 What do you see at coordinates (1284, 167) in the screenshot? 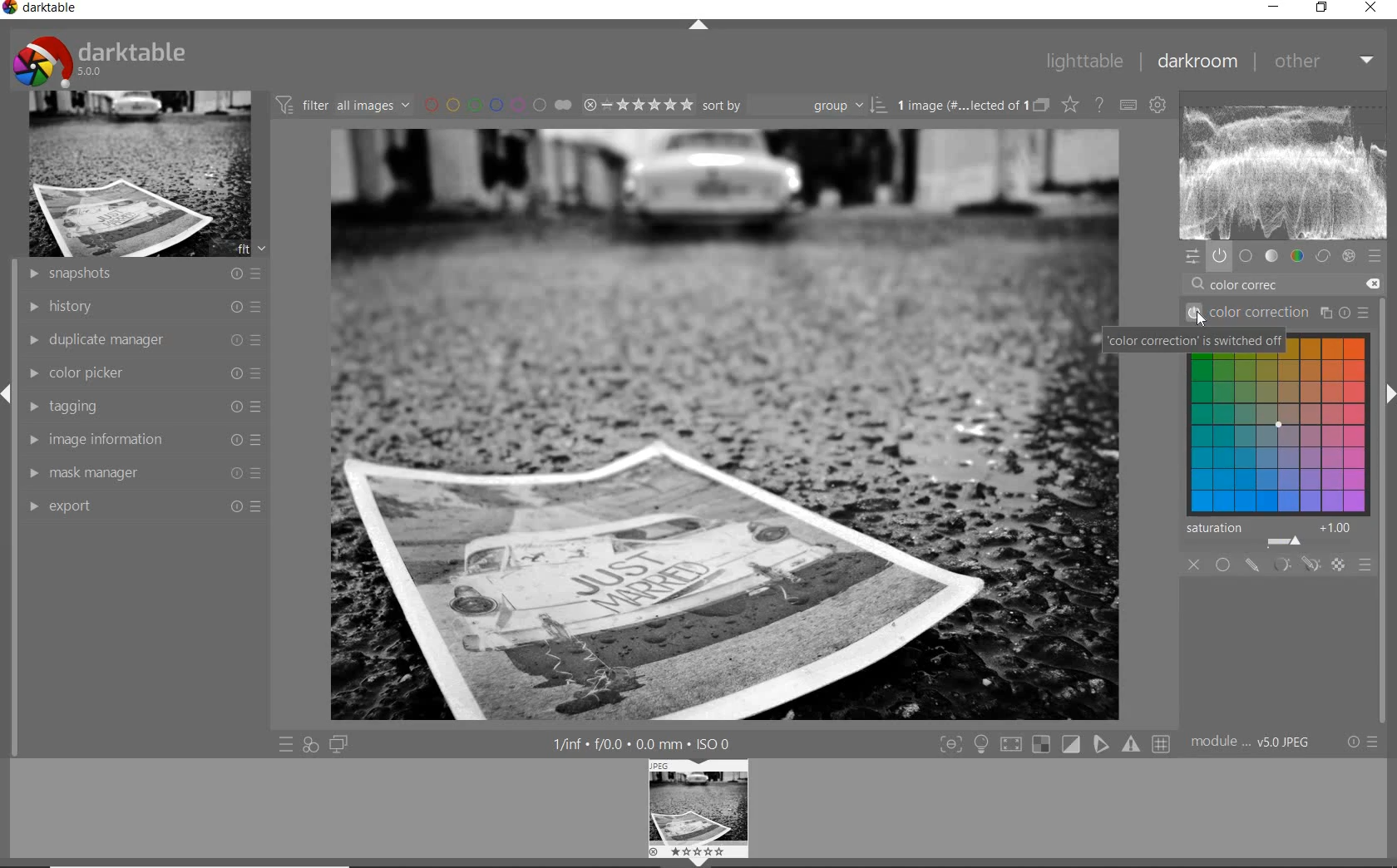
I see `wave form` at bounding box center [1284, 167].